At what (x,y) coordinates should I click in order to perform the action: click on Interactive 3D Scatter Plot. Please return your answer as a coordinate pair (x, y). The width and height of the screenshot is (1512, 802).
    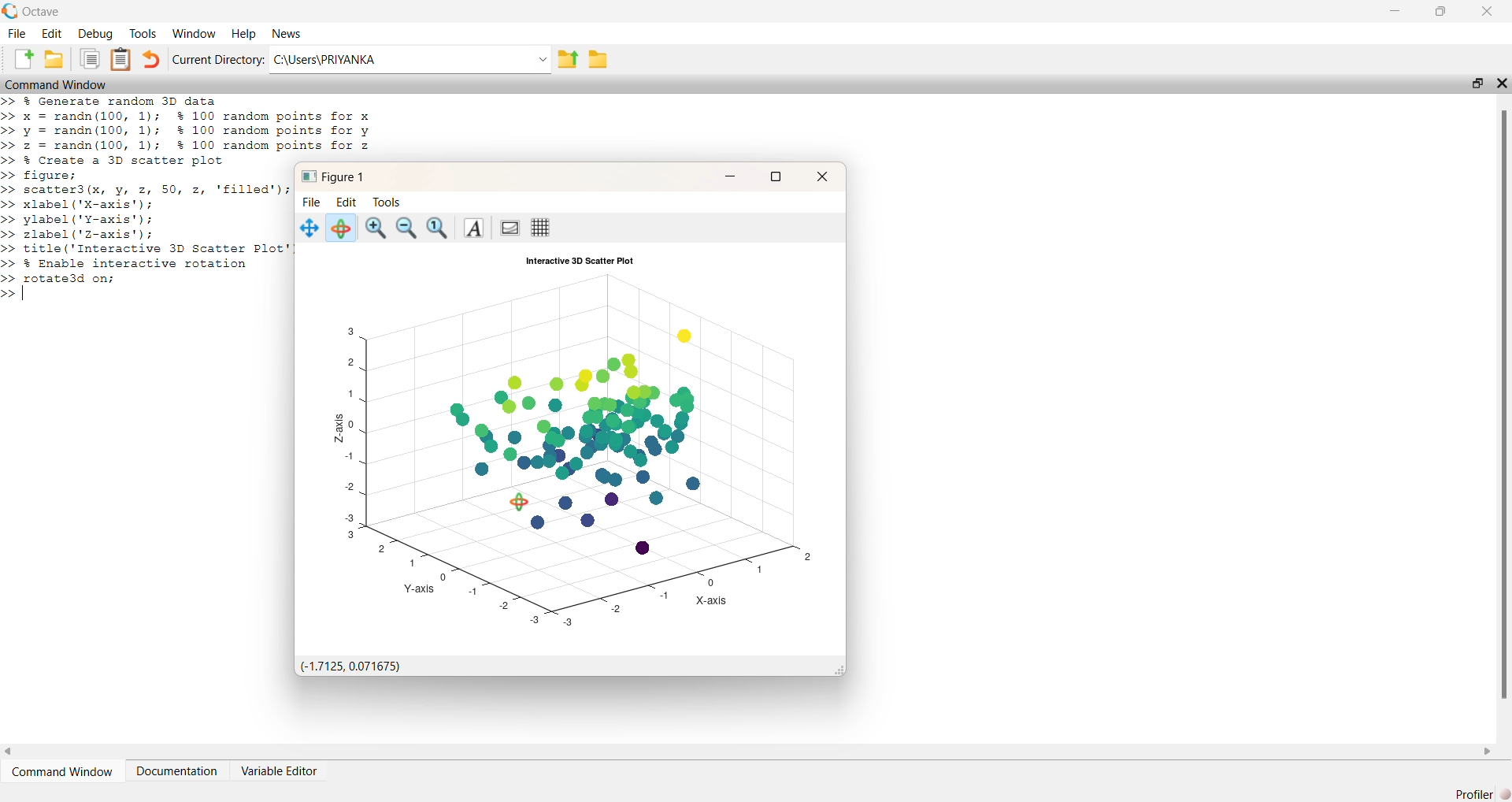
    Looking at the image, I should click on (580, 261).